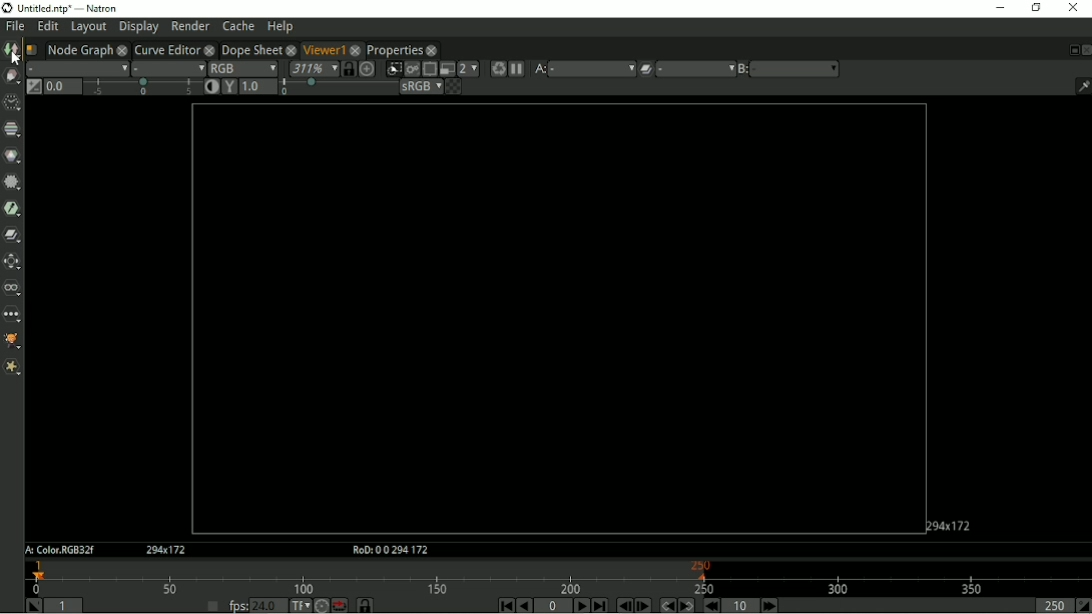  Describe the element at coordinates (31, 49) in the screenshot. I see `Script name` at that location.